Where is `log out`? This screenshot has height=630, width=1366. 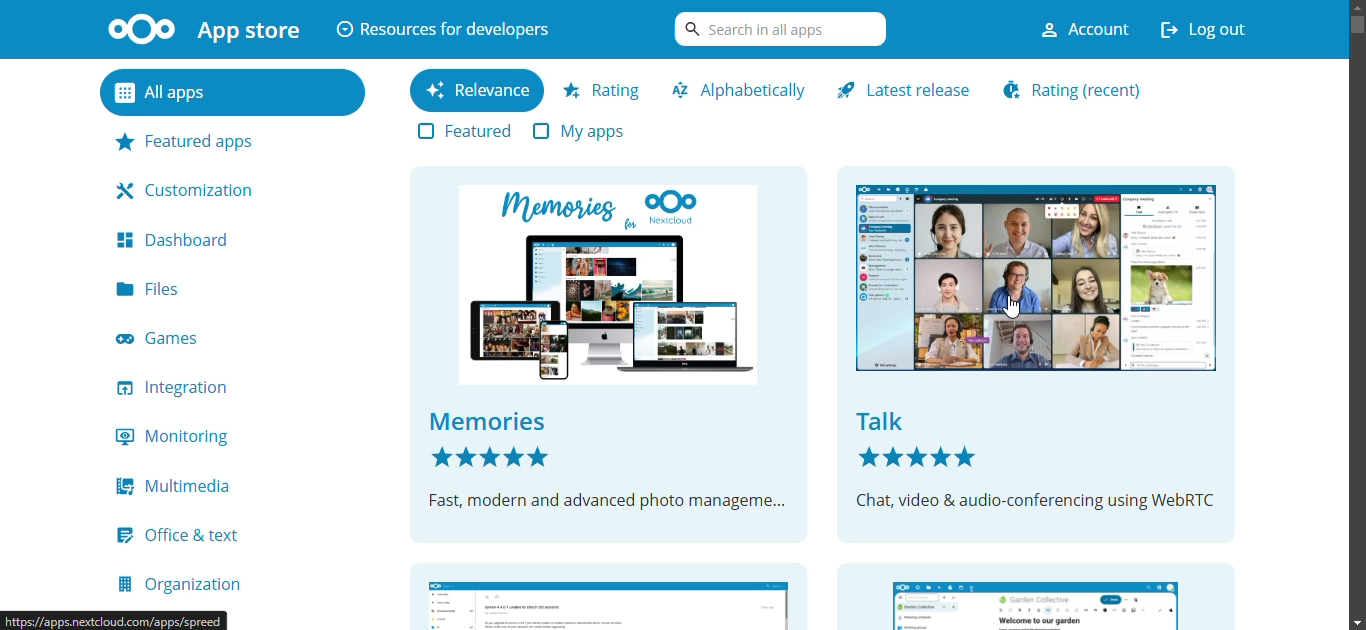 log out is located at coordinates (1213, 28).